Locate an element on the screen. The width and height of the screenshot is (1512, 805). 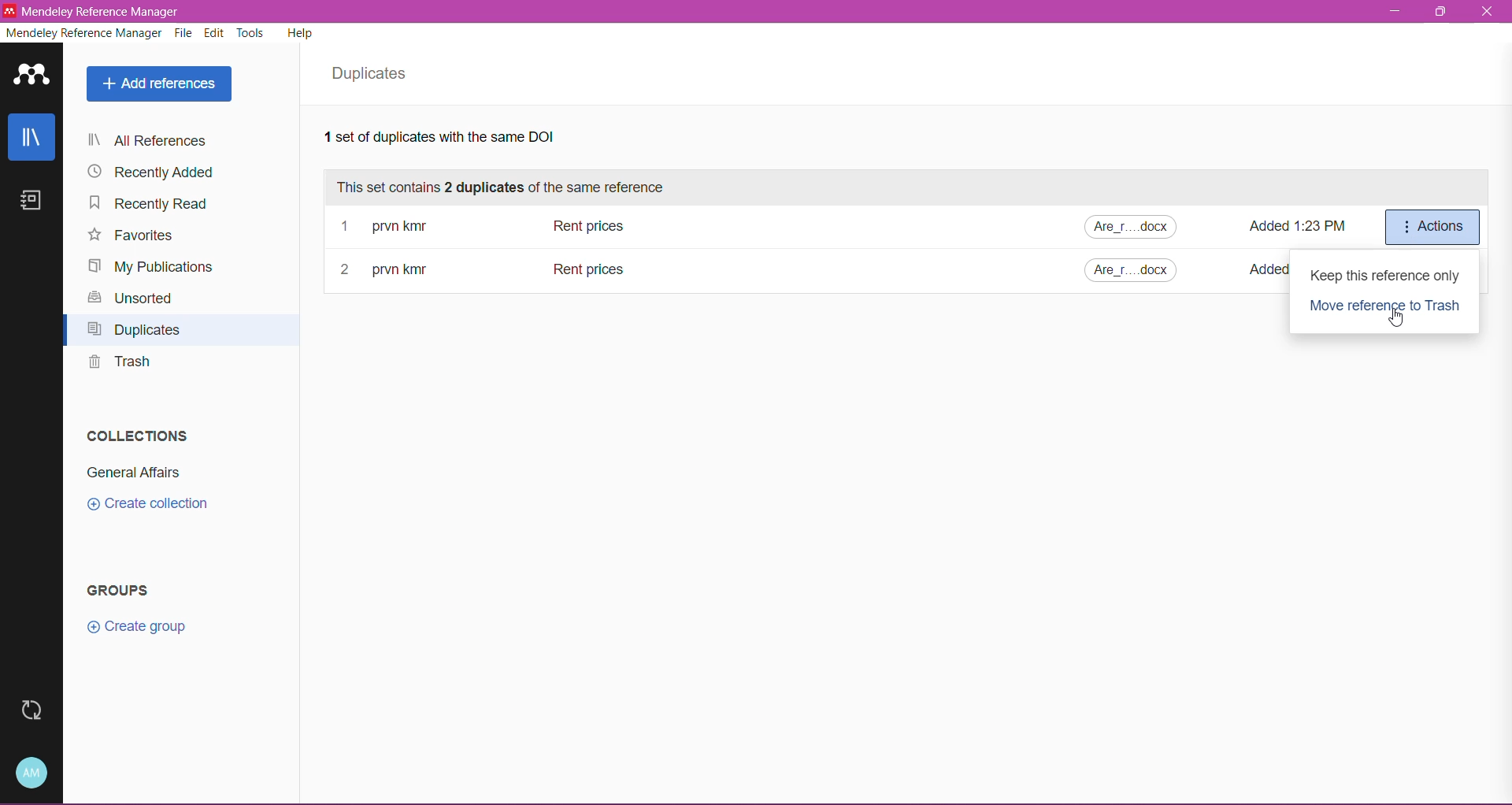
Application Name is located at coordinates (106, 12).